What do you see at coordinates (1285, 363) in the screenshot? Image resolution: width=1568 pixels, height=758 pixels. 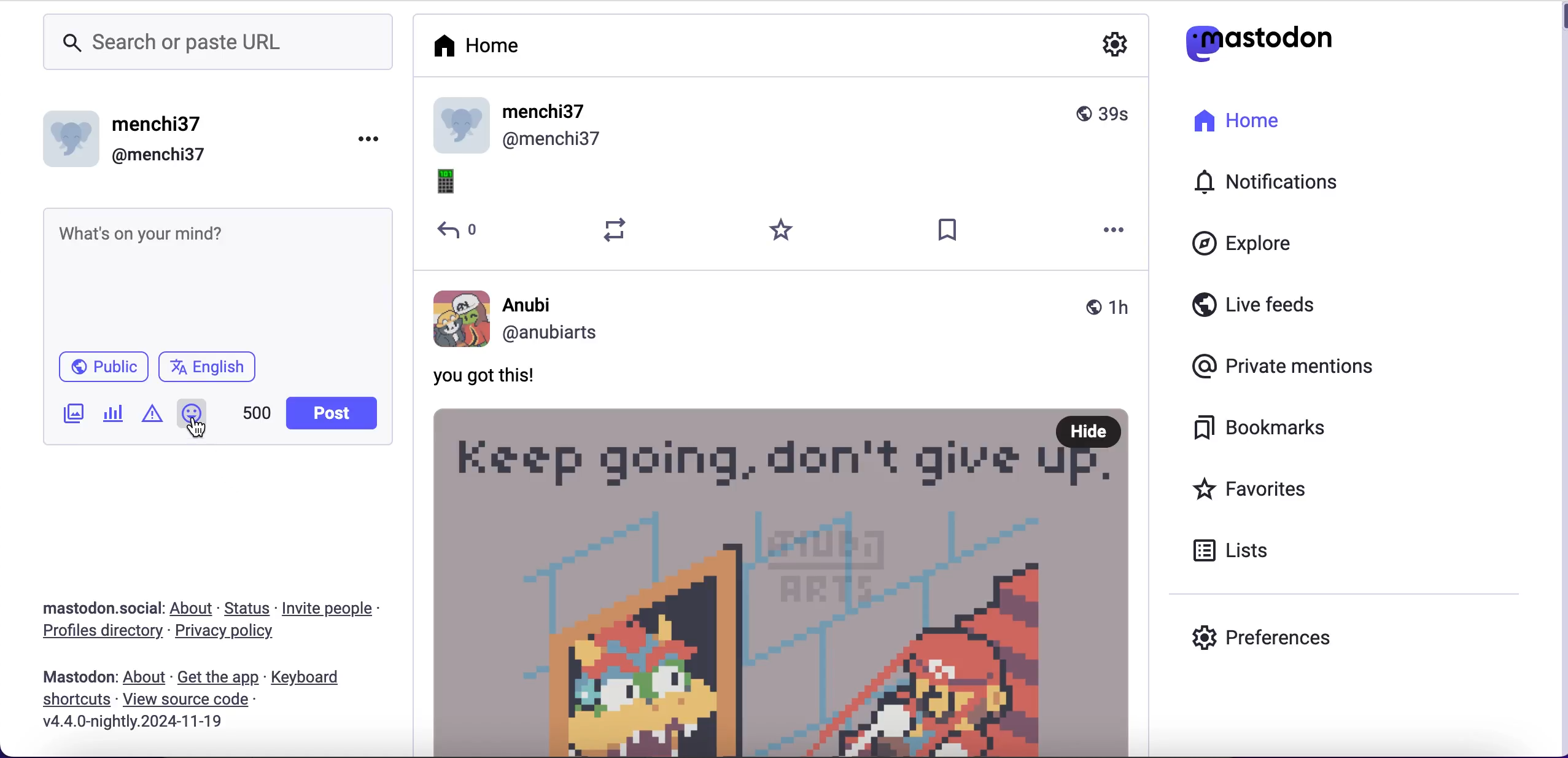 I see `private mentions` at bounding box center [1285, 363].